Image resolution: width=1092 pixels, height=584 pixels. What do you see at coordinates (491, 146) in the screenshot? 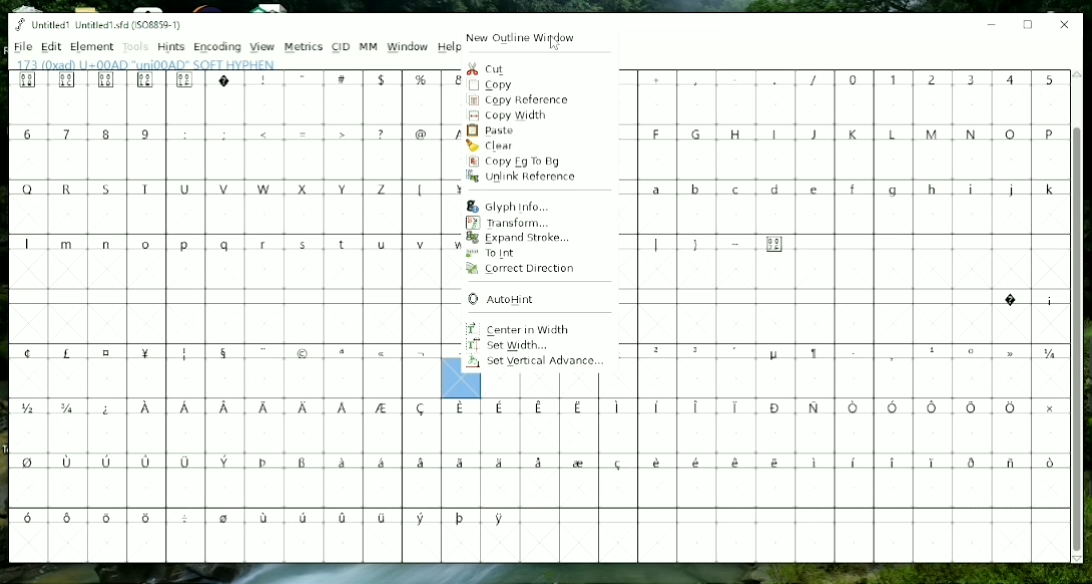
I see `Clear` at bounding box center [491, 146].